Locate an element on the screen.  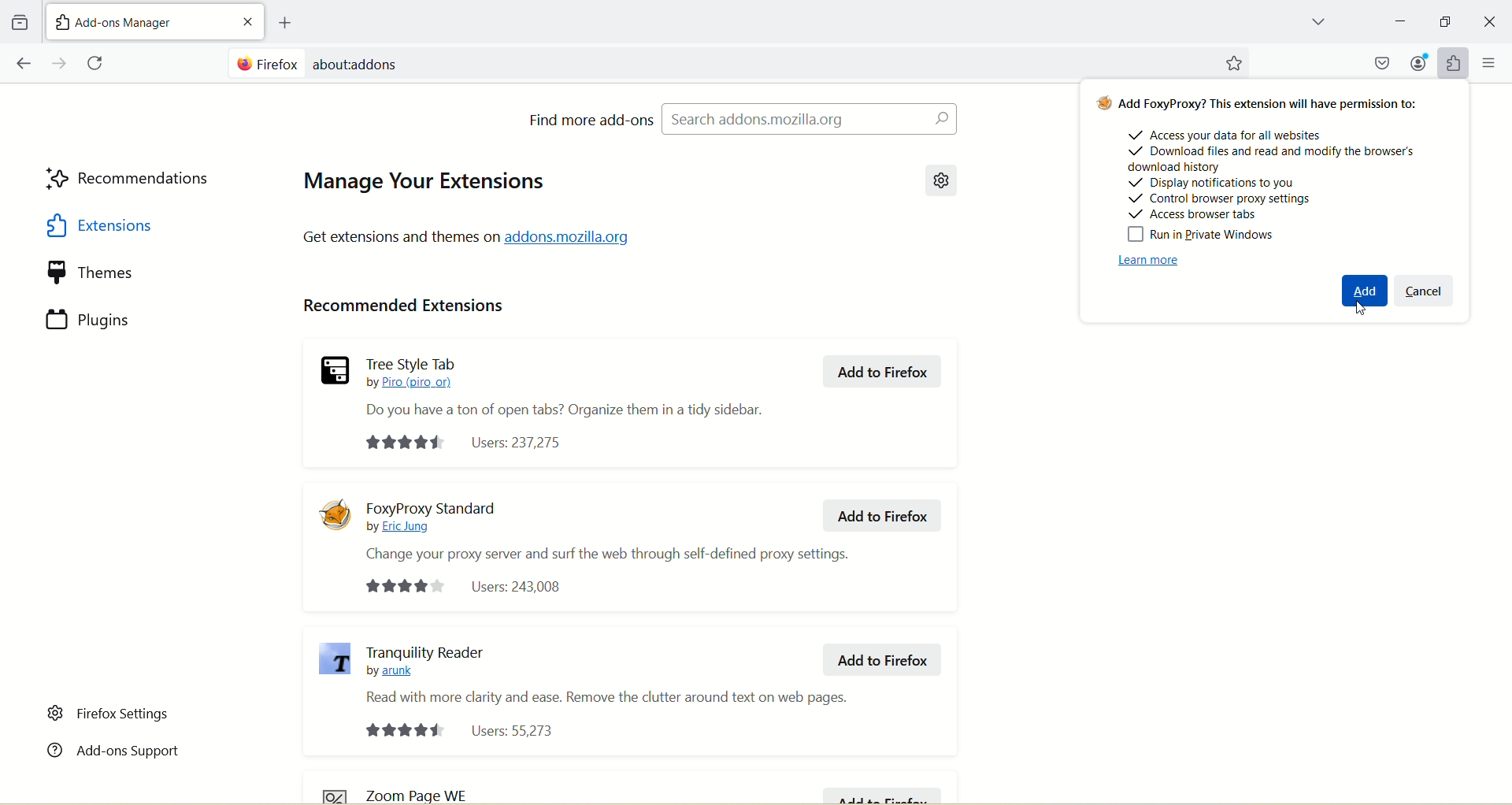
Add is located at coordinates (1366, 291).